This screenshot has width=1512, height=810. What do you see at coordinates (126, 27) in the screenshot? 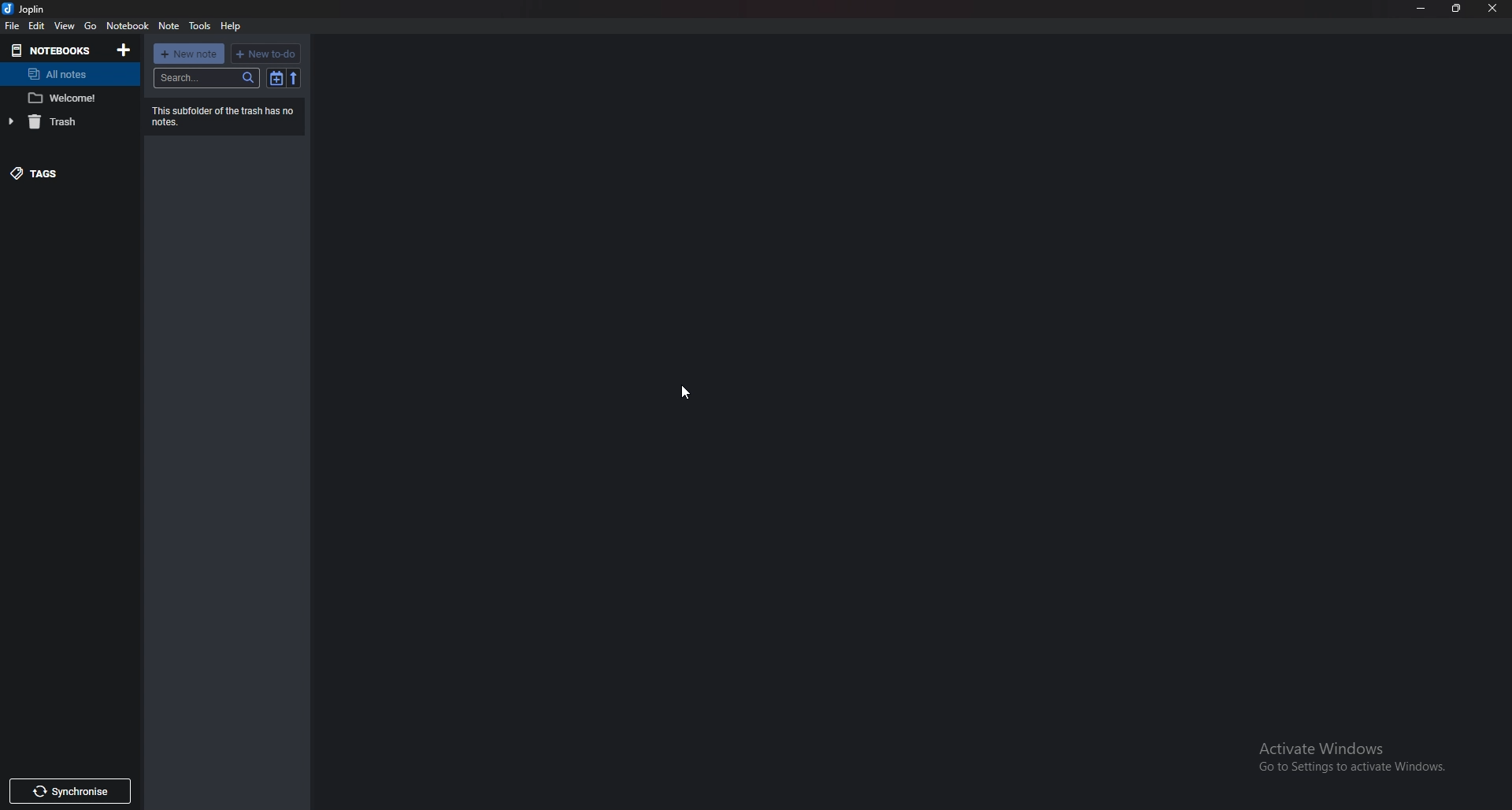
I see `Notebook` at bounding box center [126, 27].